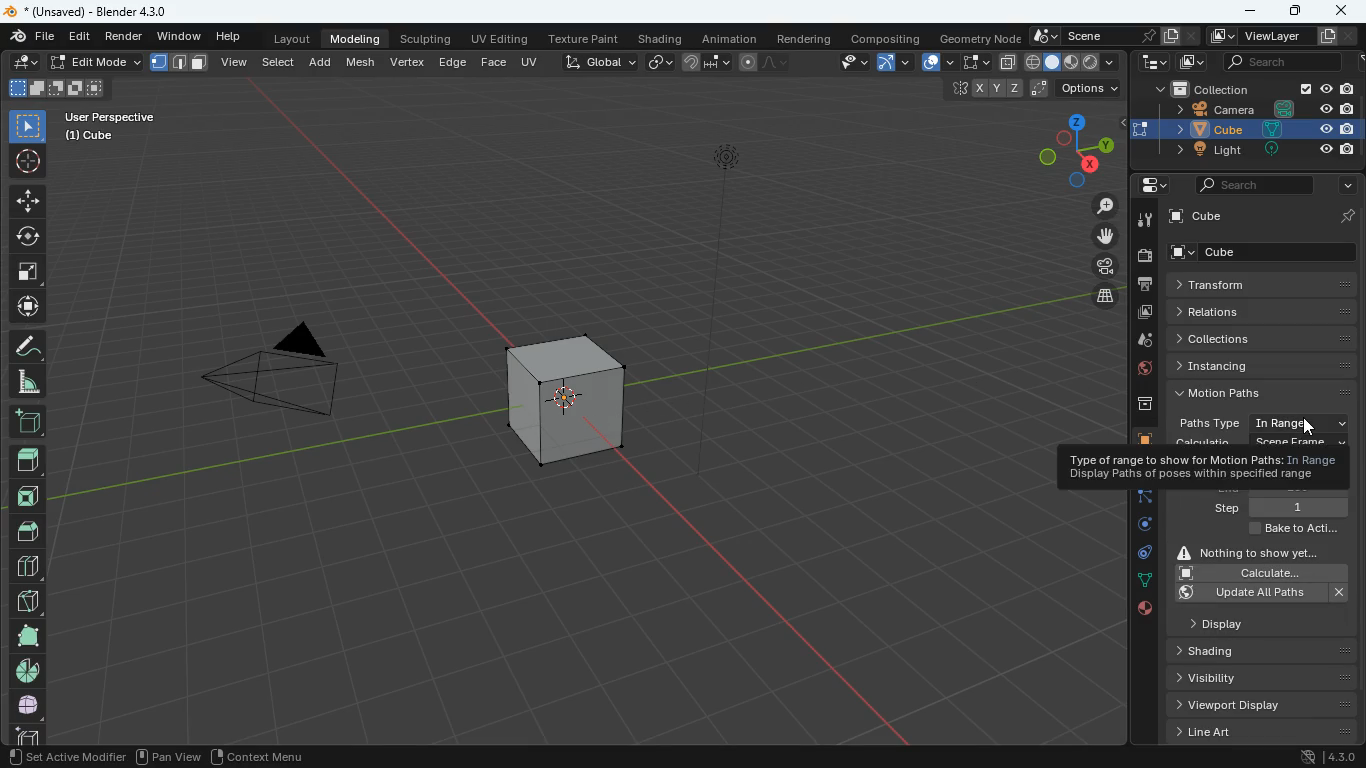 This screenshot has height=768, width=1366. I want to click on pie, so click(26, 670).